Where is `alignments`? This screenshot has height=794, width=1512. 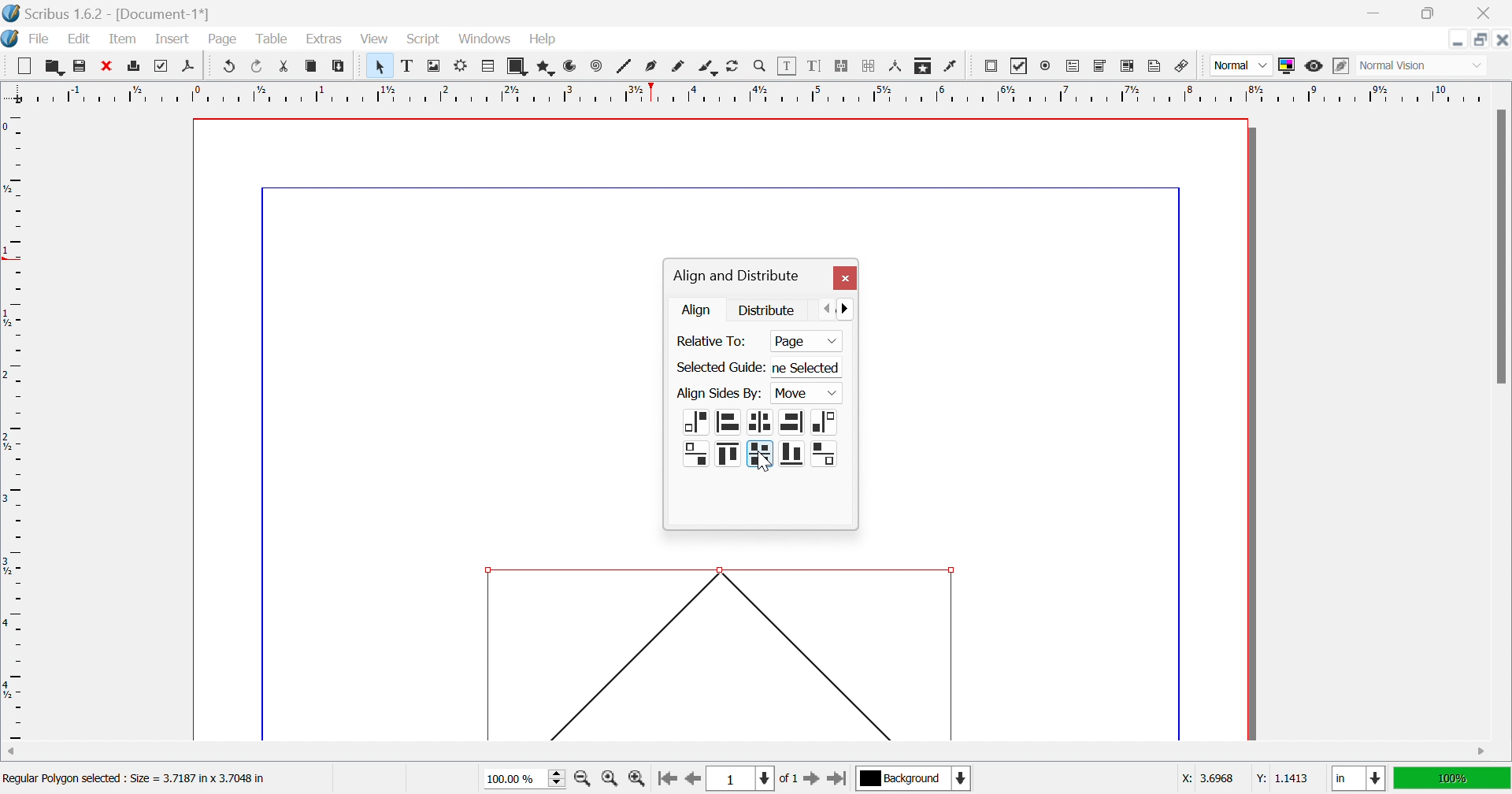 alignments is located at coordinates (794, 438).